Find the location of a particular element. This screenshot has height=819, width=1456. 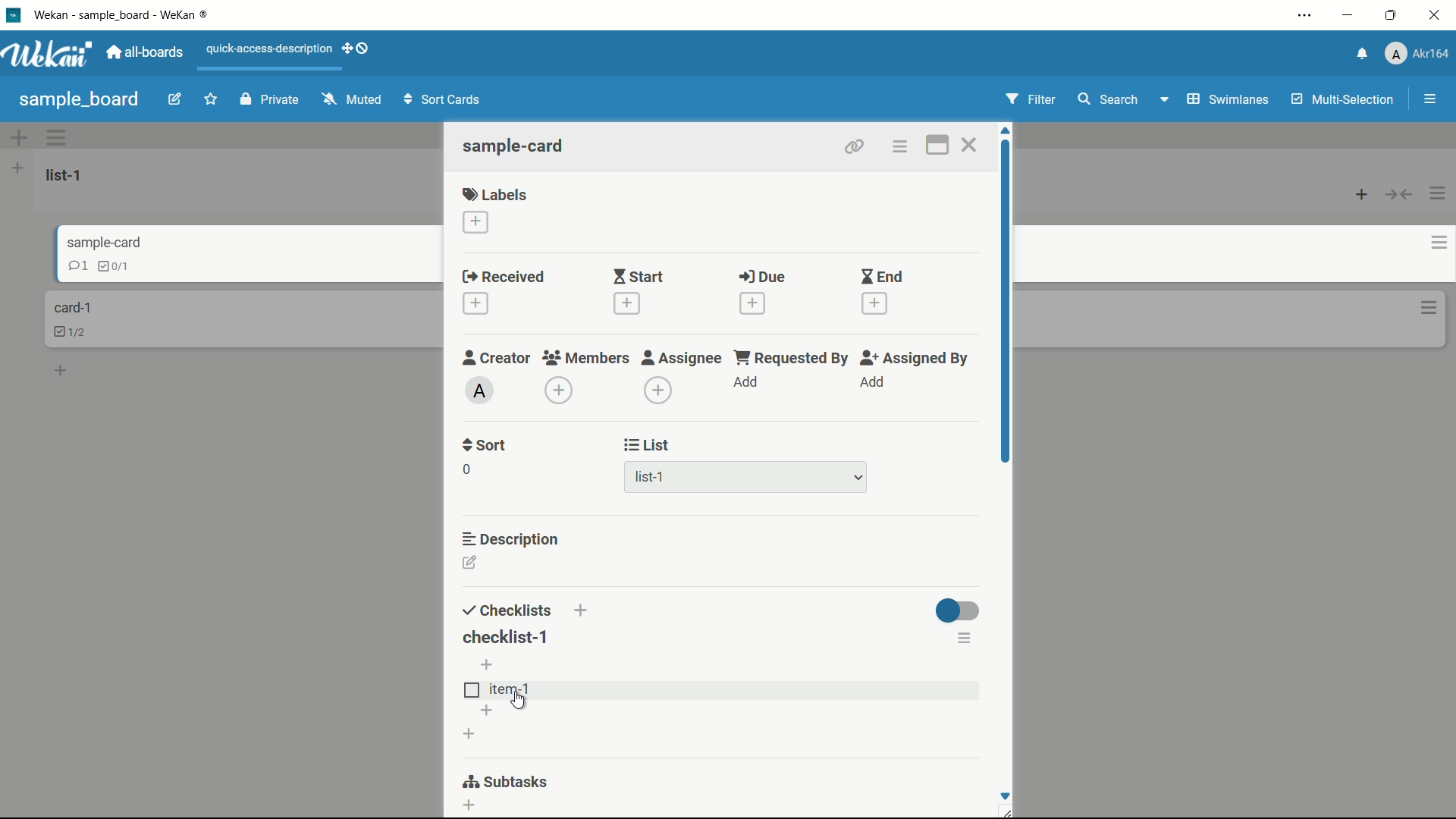

add a card is located at coordinates (62, 372).